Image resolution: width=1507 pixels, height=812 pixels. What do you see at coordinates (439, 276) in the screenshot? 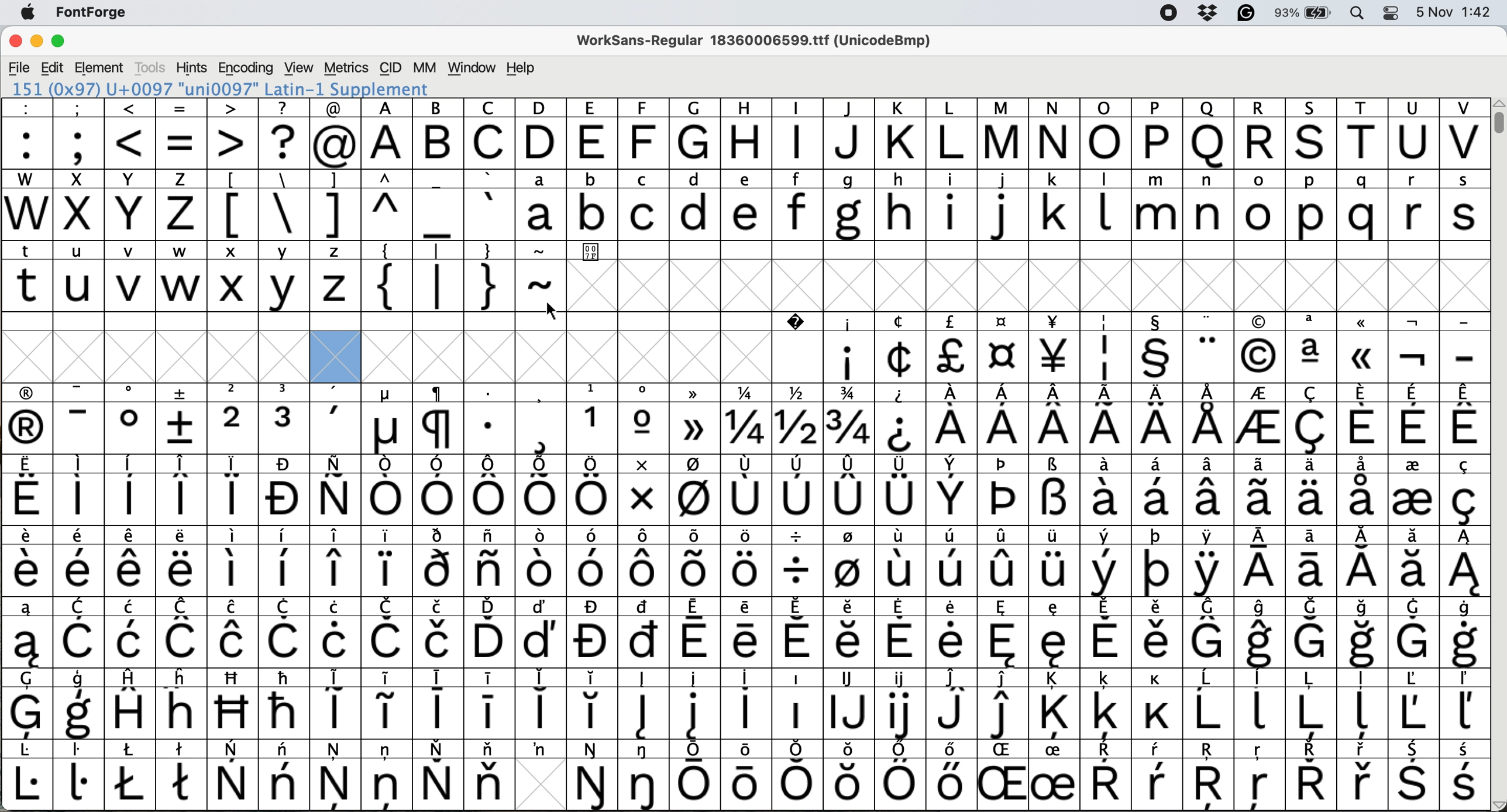
I see `|` at bounding box center [439, 276].